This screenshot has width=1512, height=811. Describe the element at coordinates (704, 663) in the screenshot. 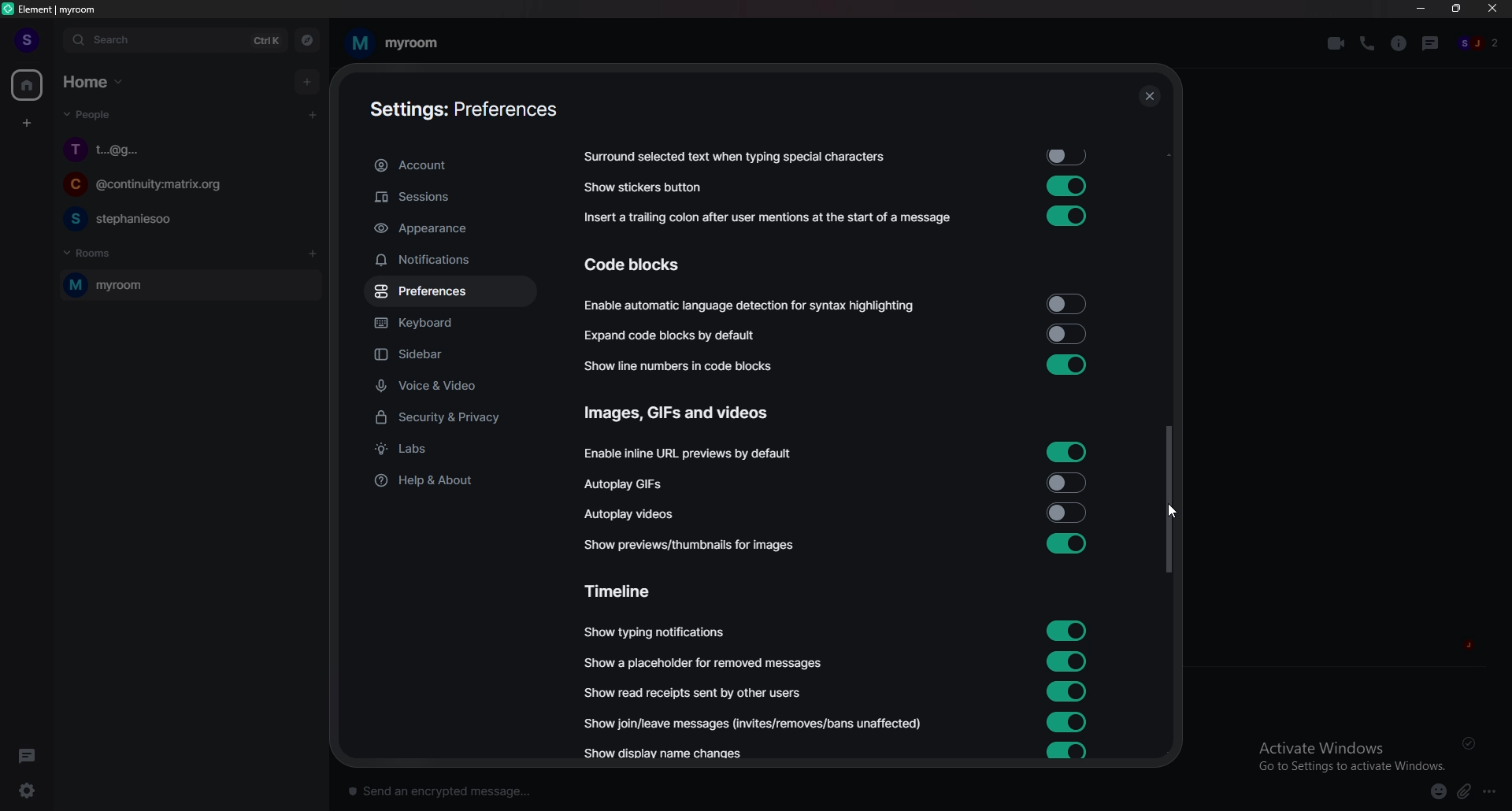

I see `show a placeholder for removed messages` at that location.